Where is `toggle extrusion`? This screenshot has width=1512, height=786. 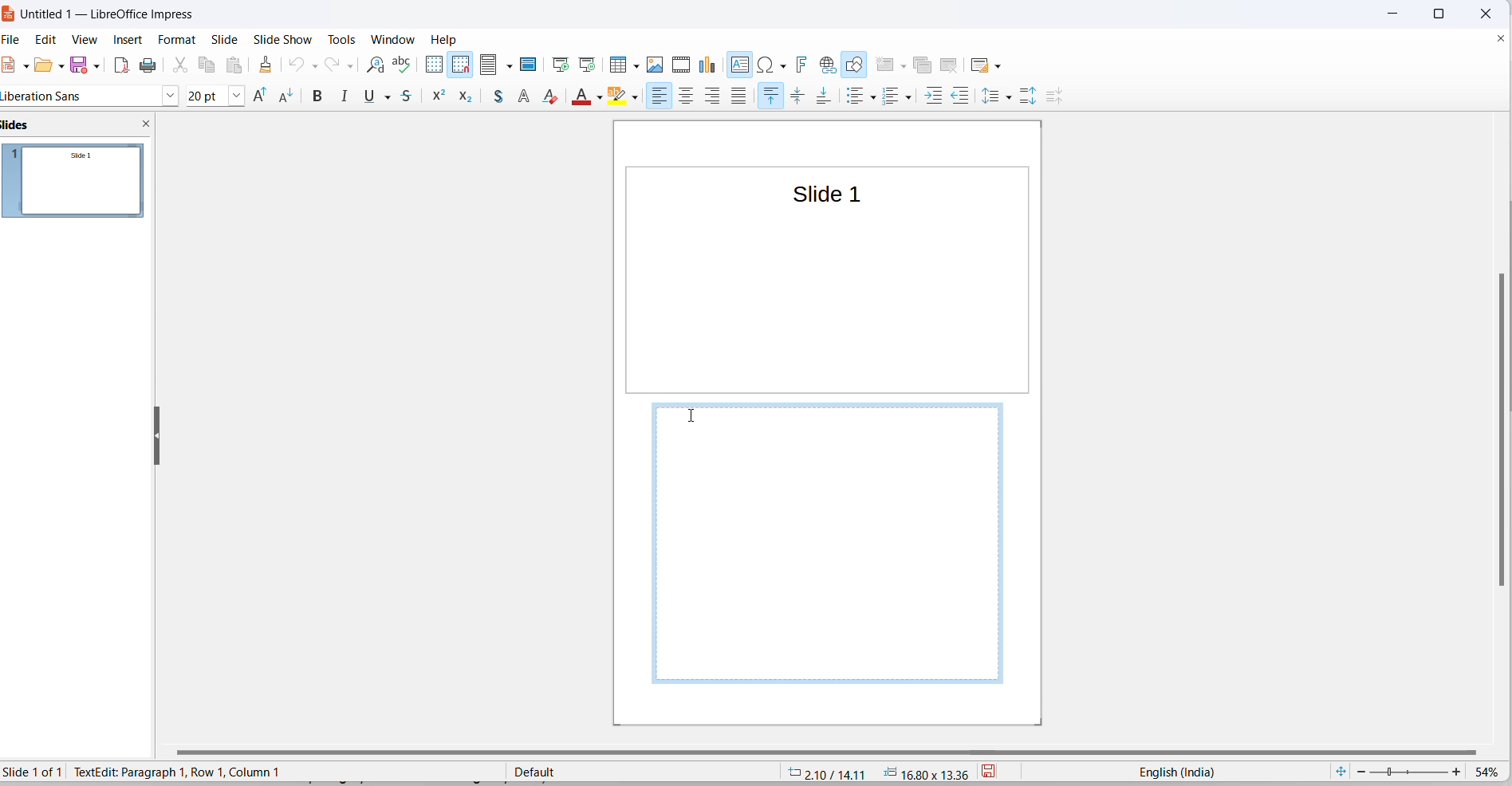
toggle extrusion is located at coordinates (885, 98).